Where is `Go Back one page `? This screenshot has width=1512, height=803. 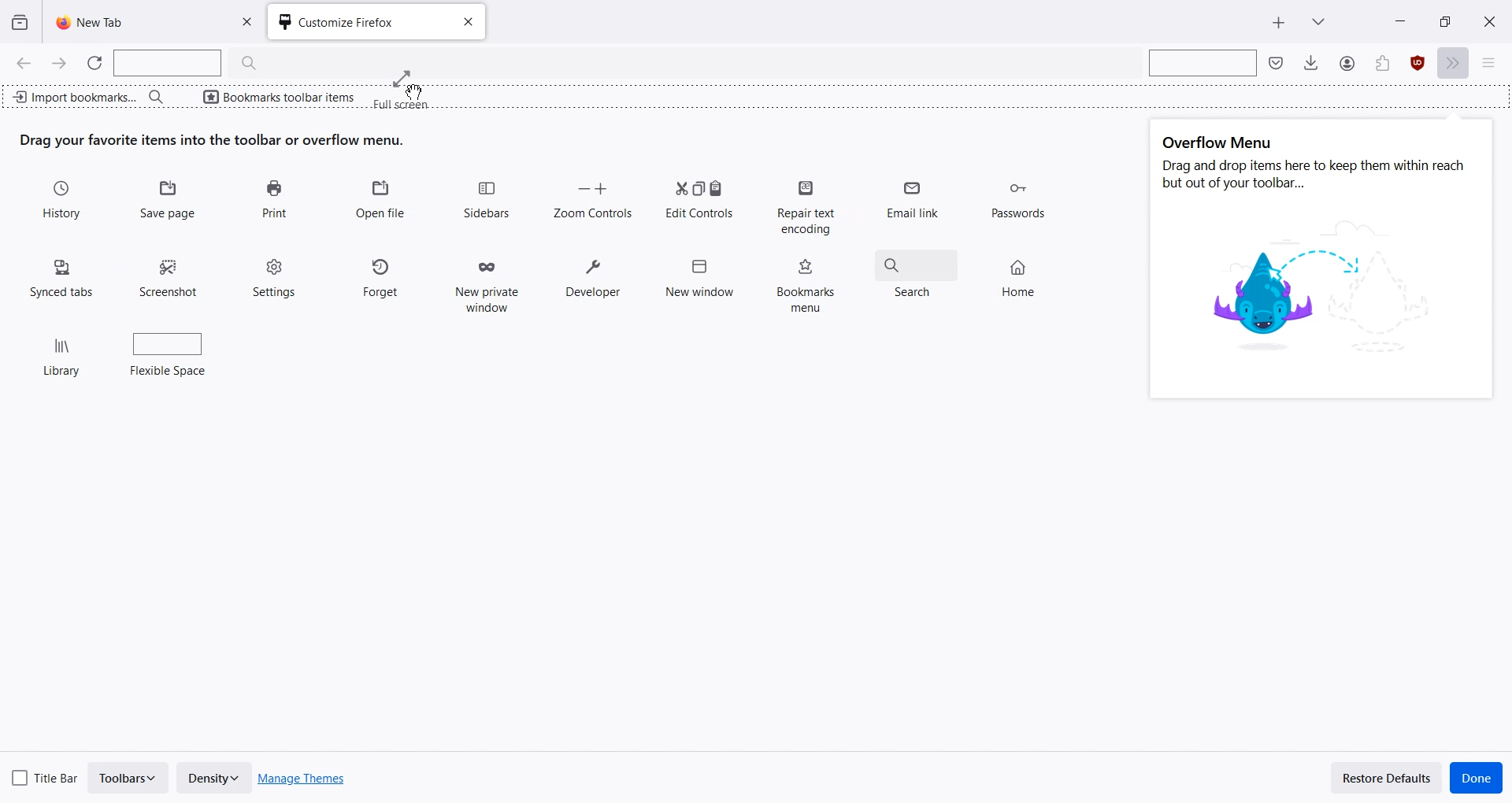 Go Back one page  is located at coordinates (22, 62).